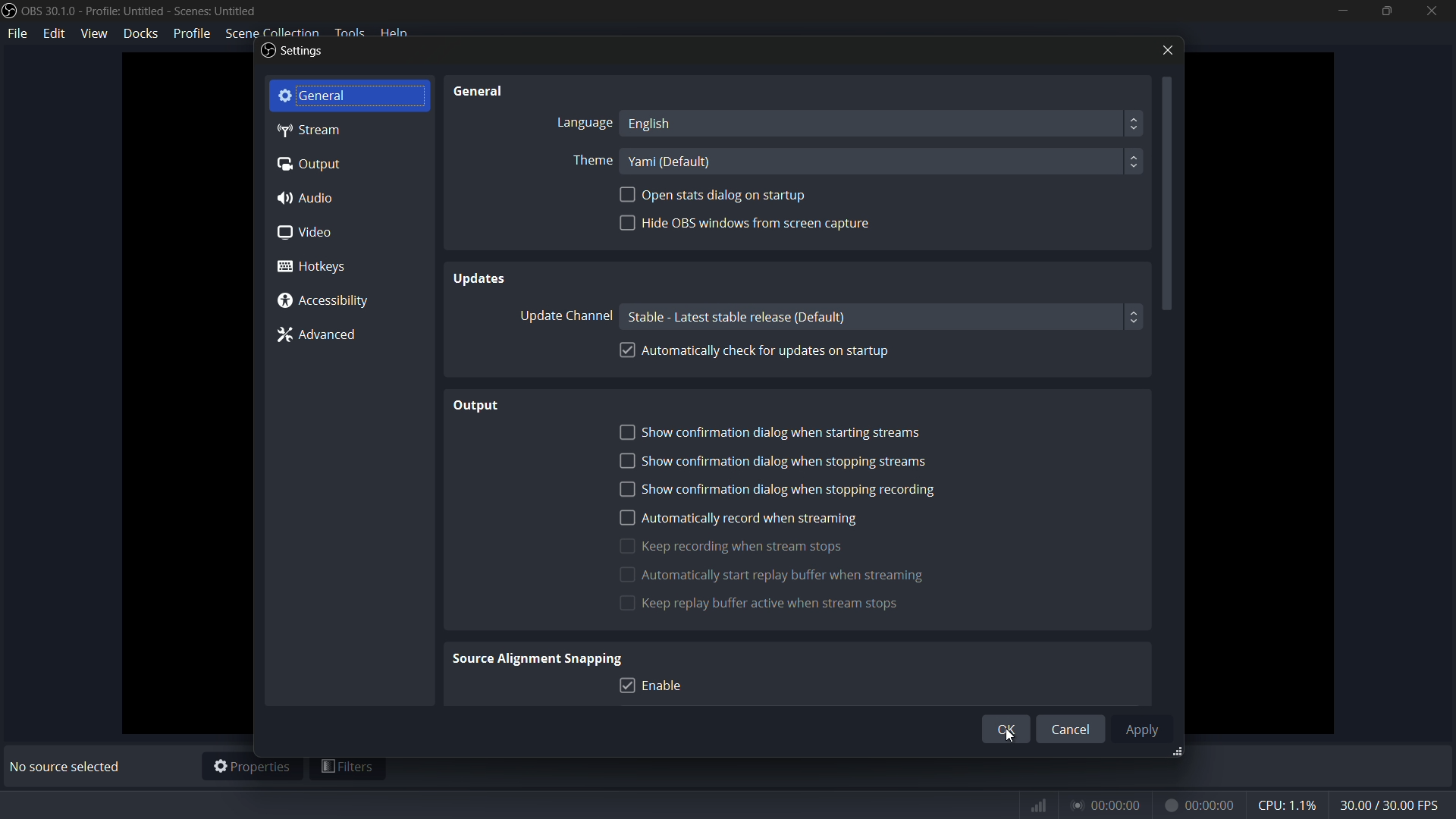 The width and height of the screenshot is (1456, 819). What do you see at coordinates (470, 405) in the screenshot?
I see `Output` at bounding box center [470, 405].